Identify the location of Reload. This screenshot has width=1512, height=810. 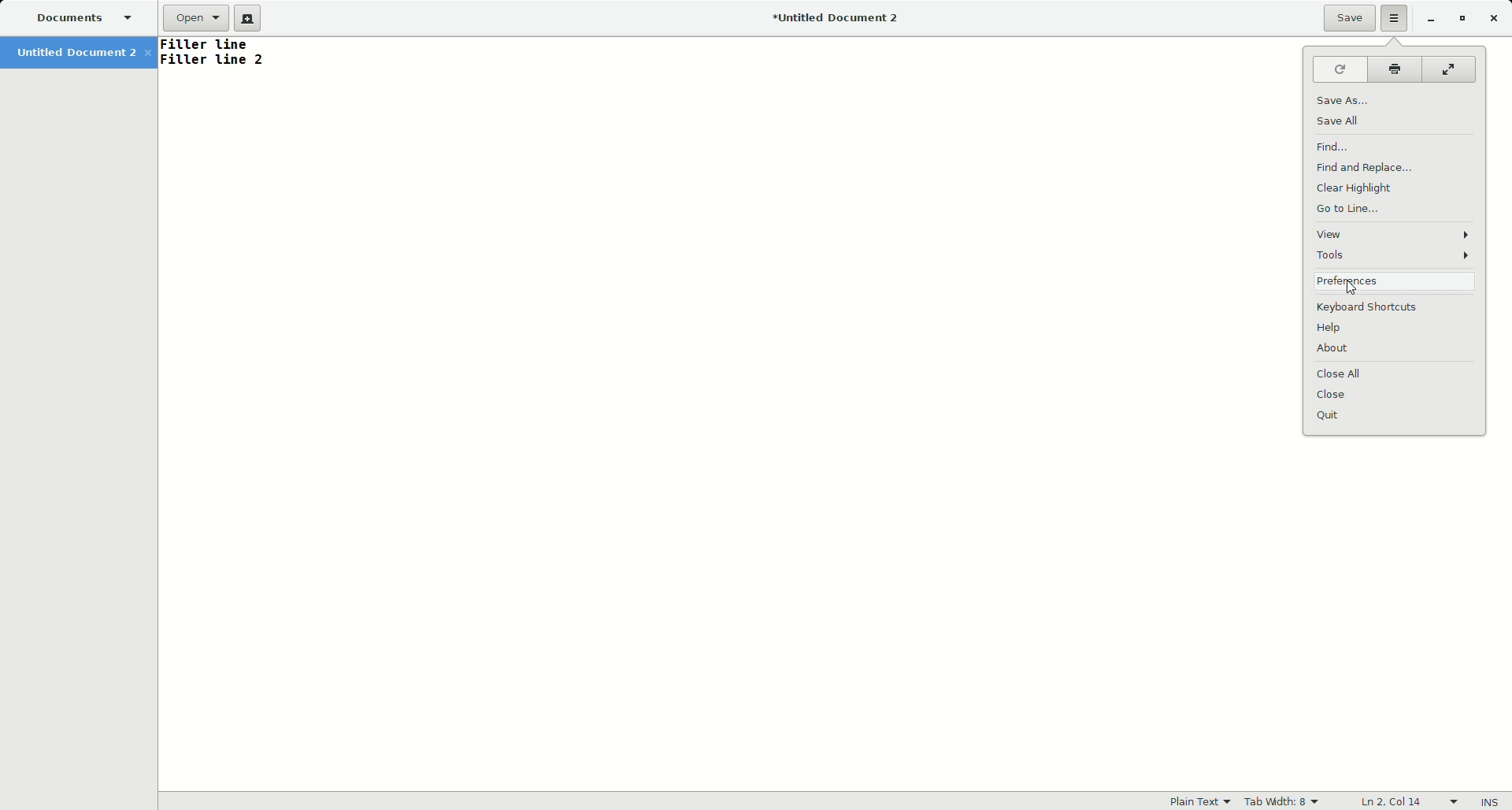
(1339, 69).